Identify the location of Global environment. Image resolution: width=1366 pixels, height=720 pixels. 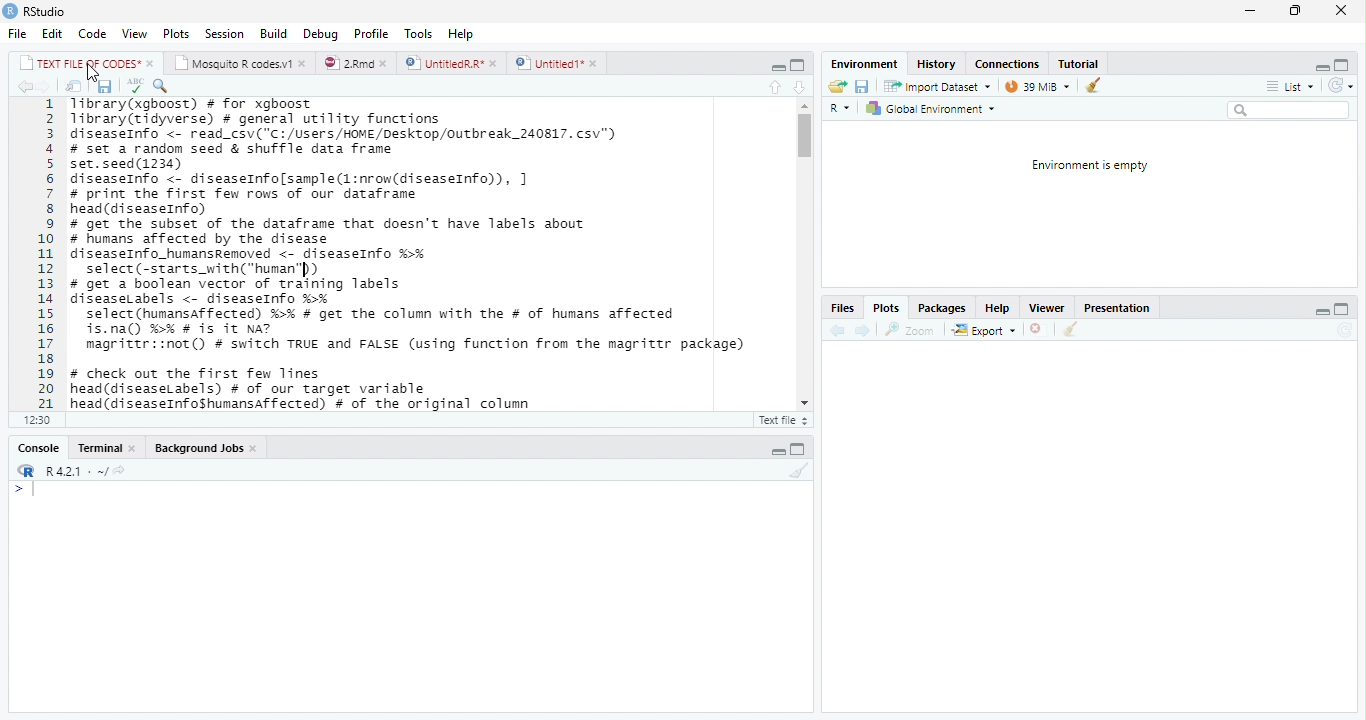
(930, 109).